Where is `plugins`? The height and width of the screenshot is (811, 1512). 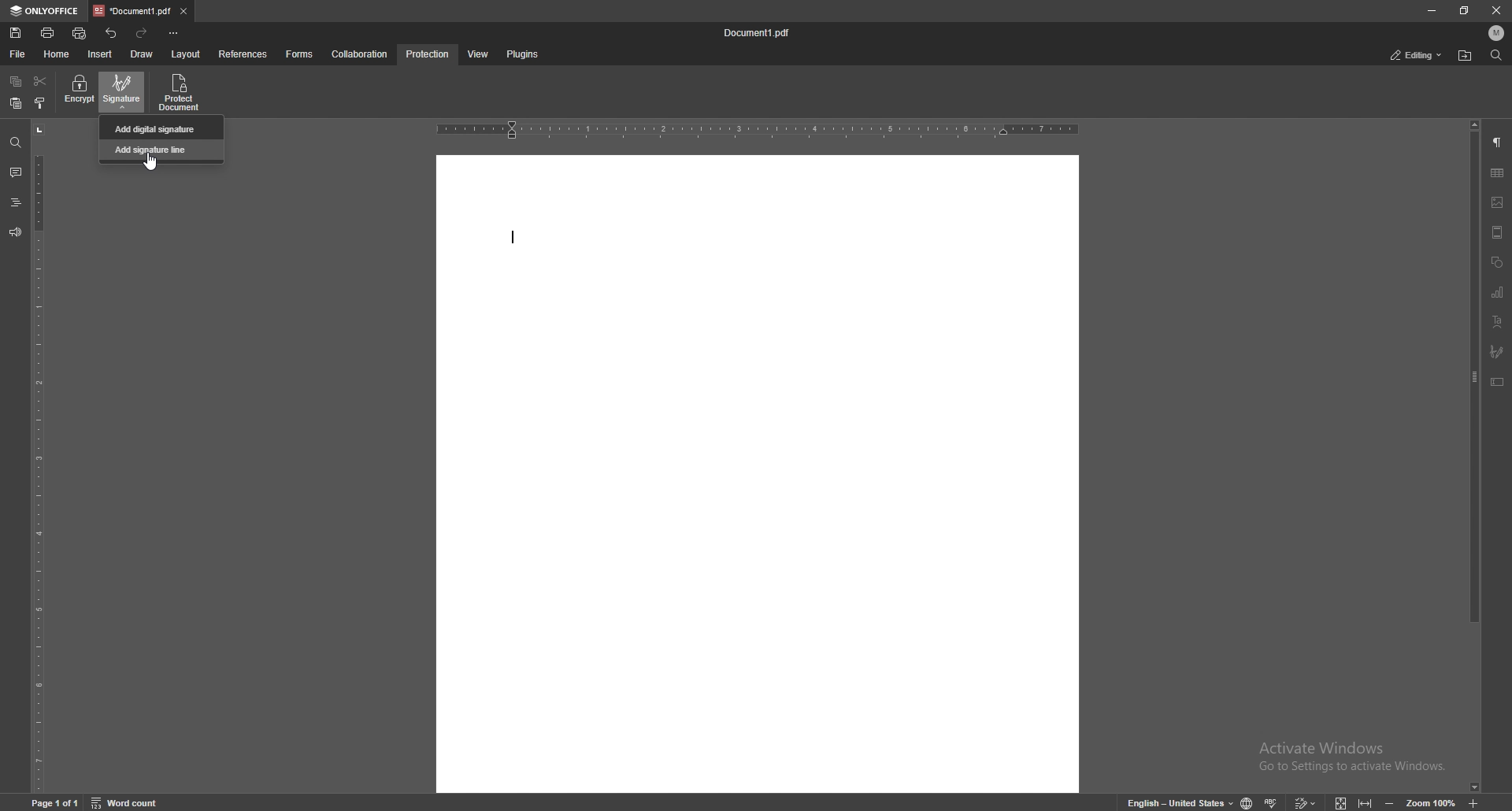
plugins is located at coordinates (521, 55).